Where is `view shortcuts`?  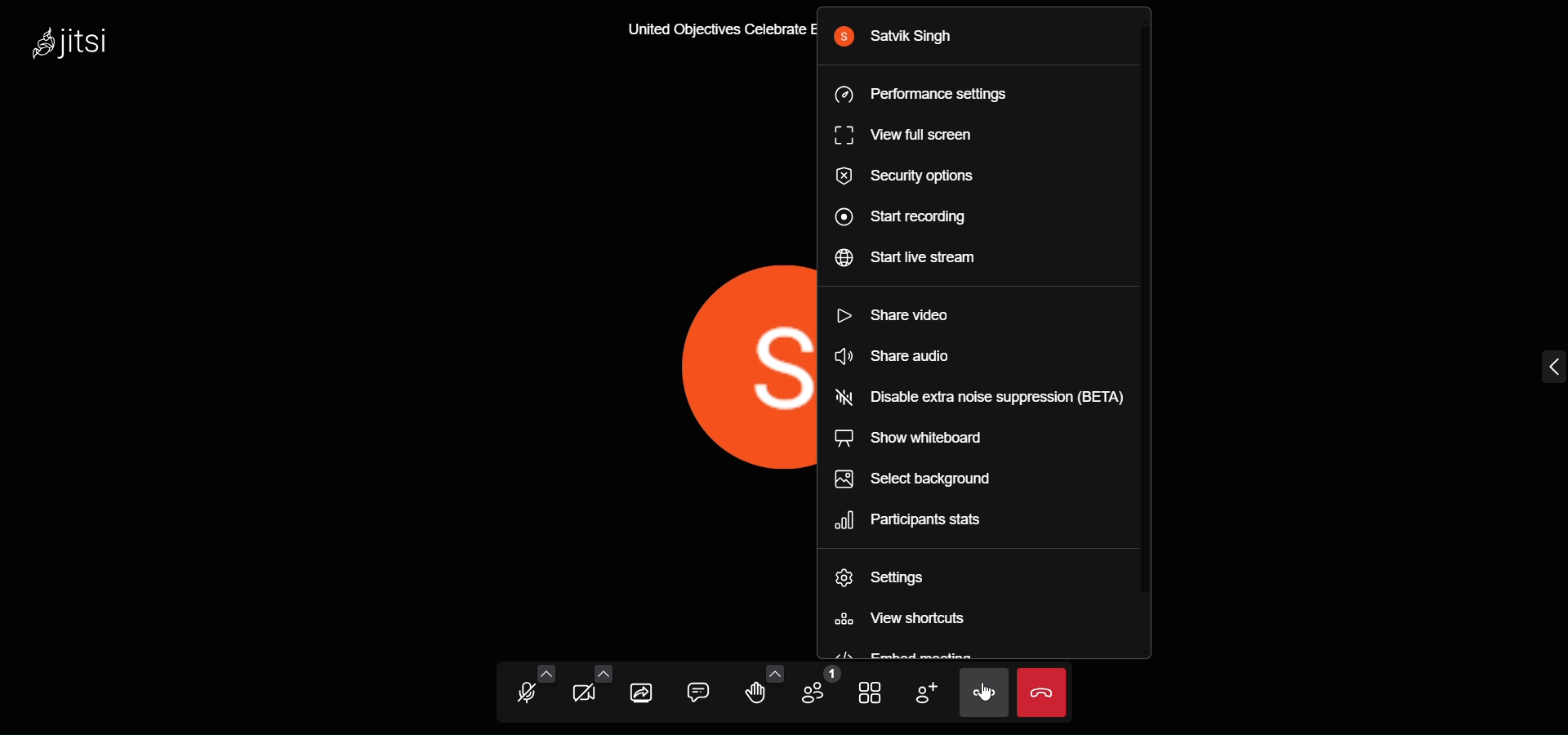
view shortcuts is located at coordinates (935, 618).